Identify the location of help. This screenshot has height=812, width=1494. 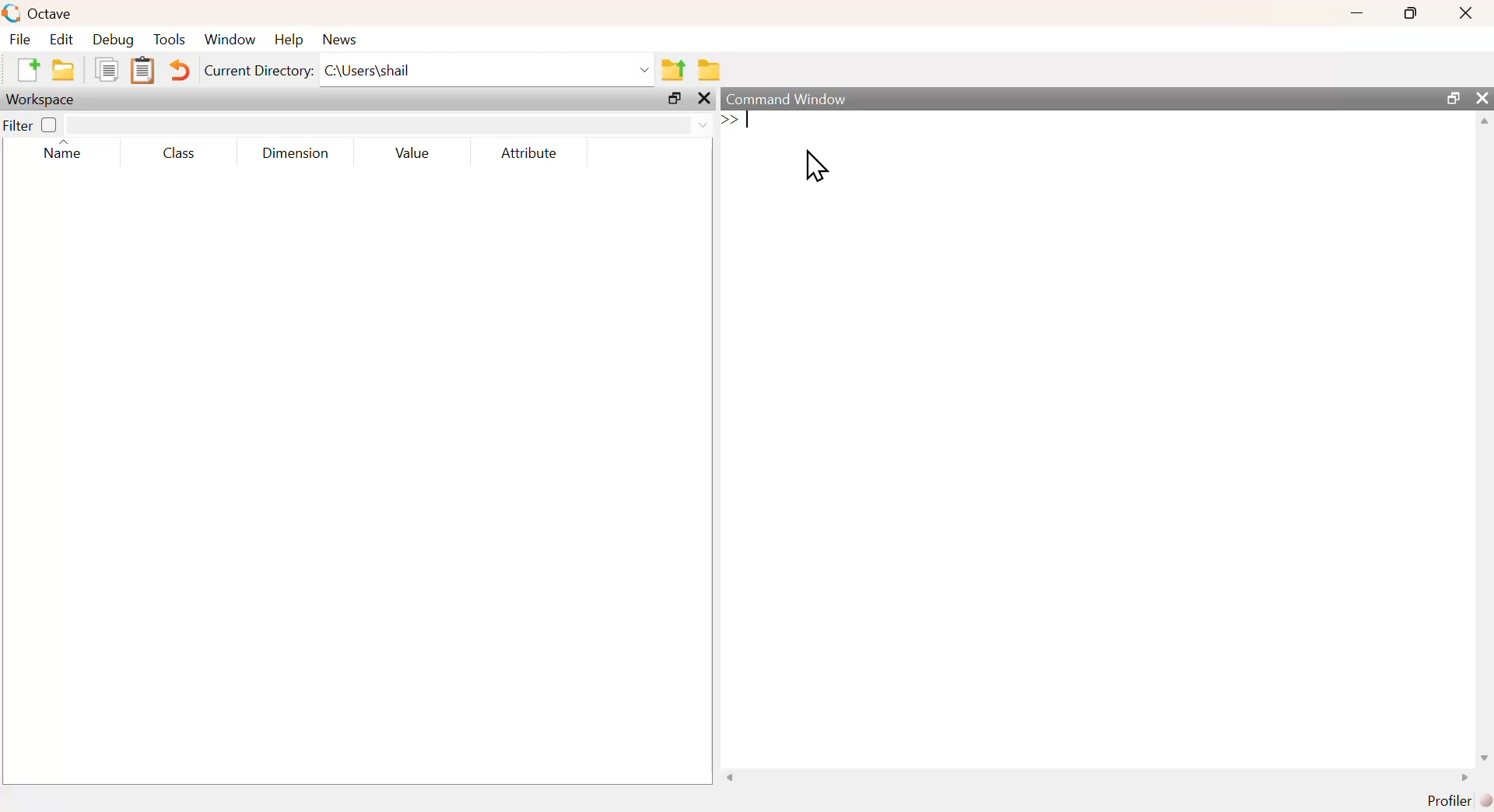
(288, 38).